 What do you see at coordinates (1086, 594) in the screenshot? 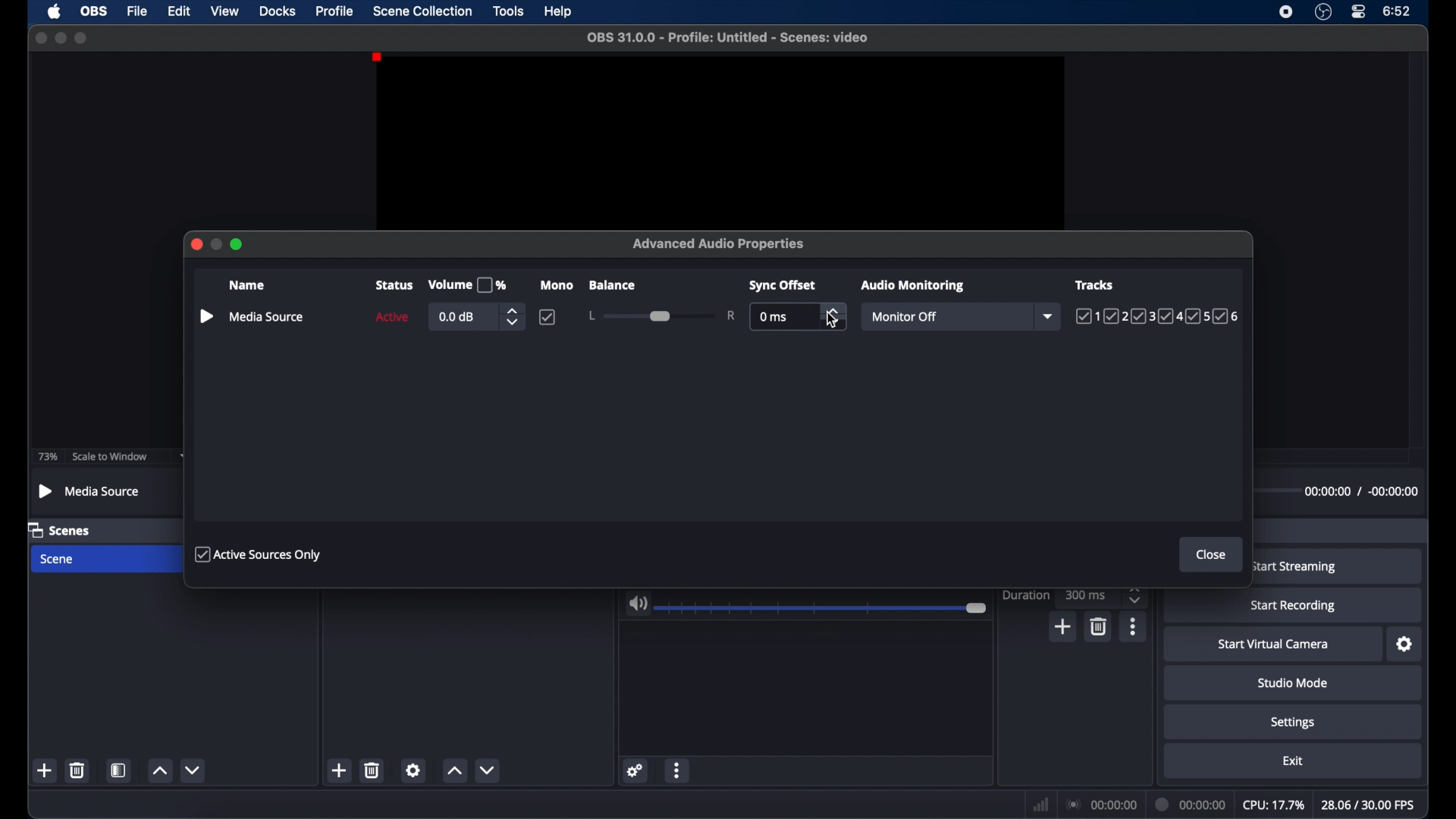
I see `300 ms` at bounding box center [1086, 594].